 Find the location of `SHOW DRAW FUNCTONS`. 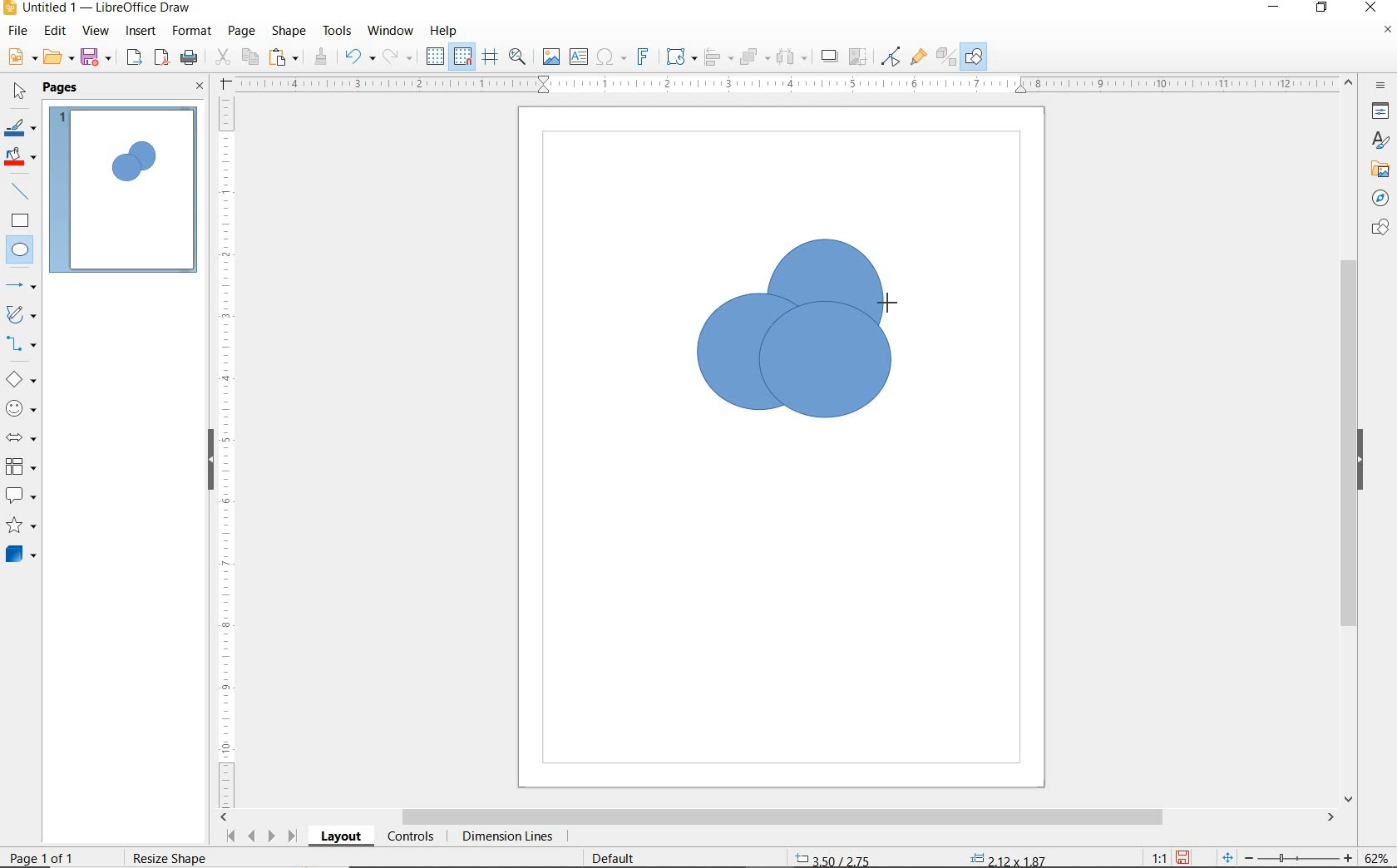

SHOW DRAW FUNCTONS is located at coordinates (974, 57).